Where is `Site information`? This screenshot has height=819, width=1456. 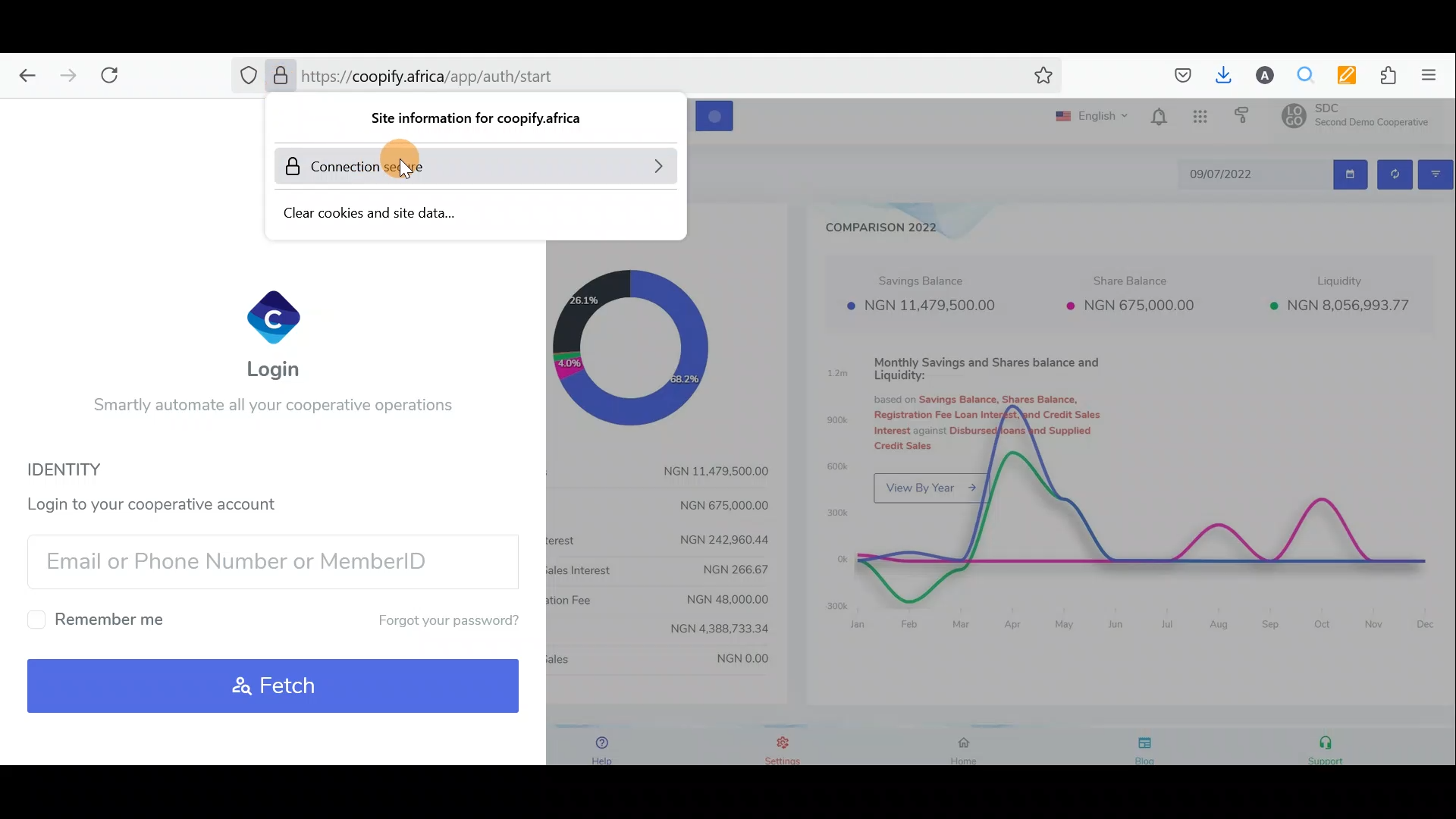 Site information is located at coordinates (482, 122).